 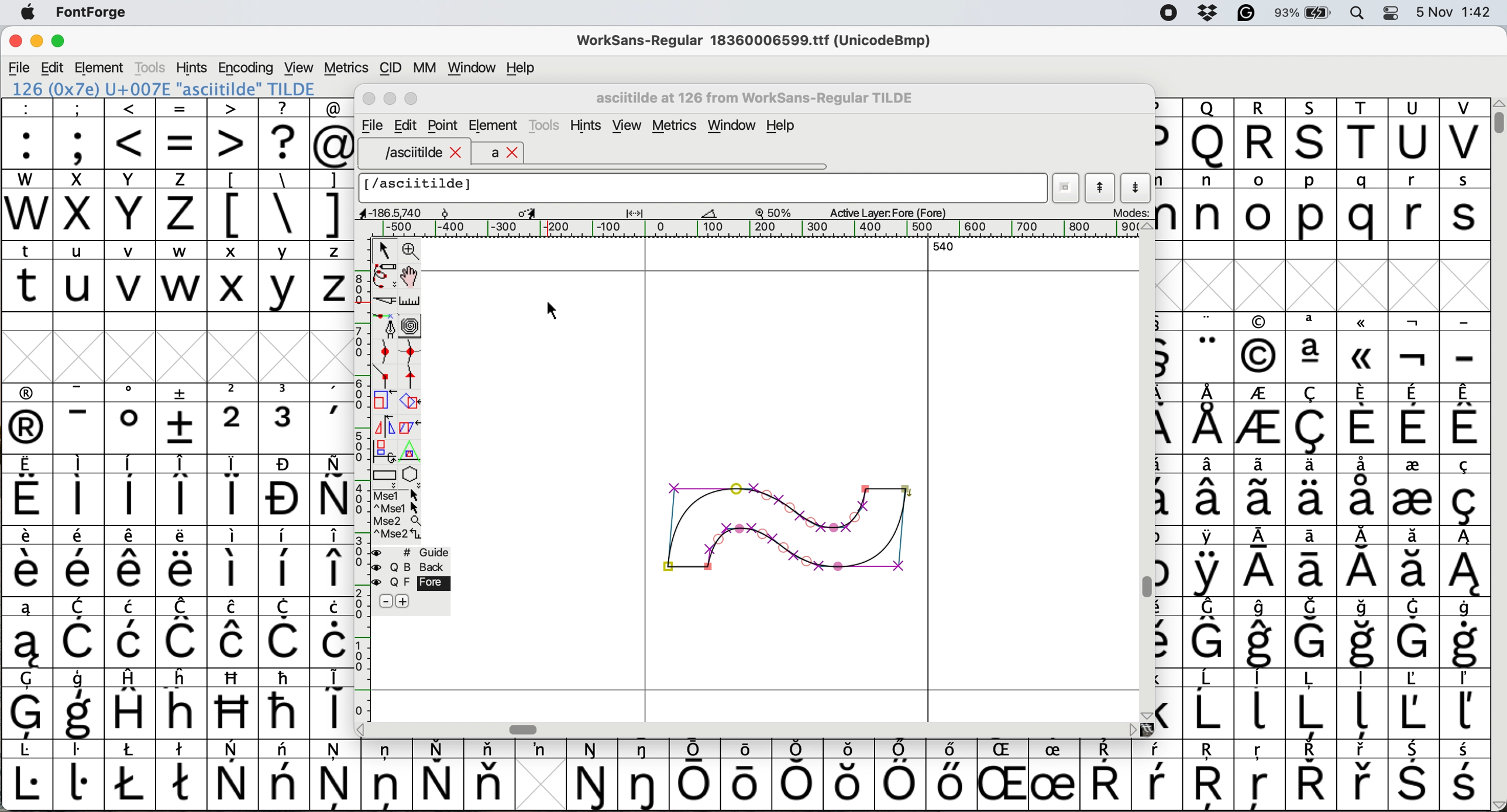 What do you see at coordinates (1245, 15) in the screenshot?
I see `grammarly` at bounding box center [1245, 15].